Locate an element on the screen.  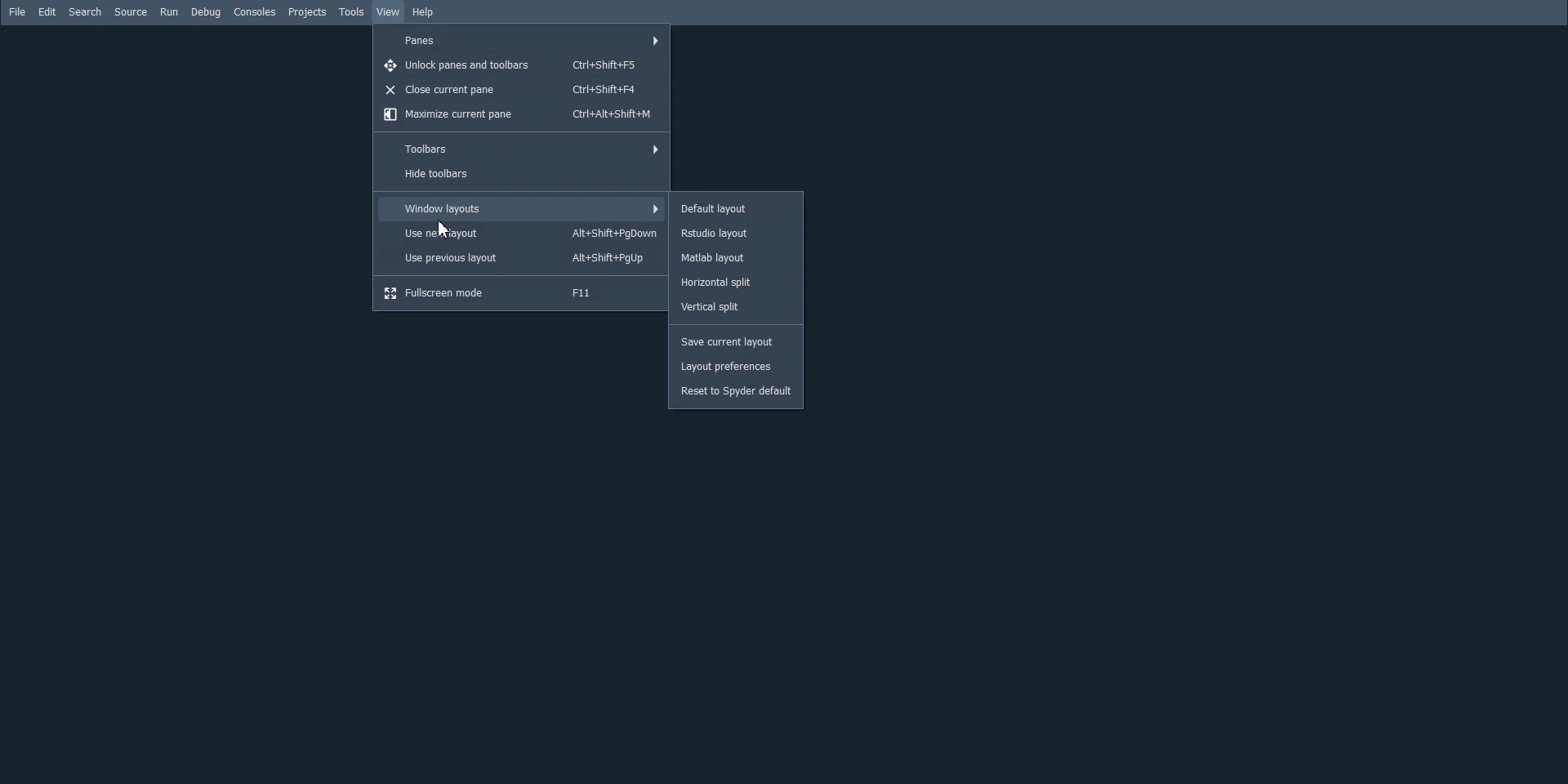
Layout preferences is located at coordinates (737, 367).